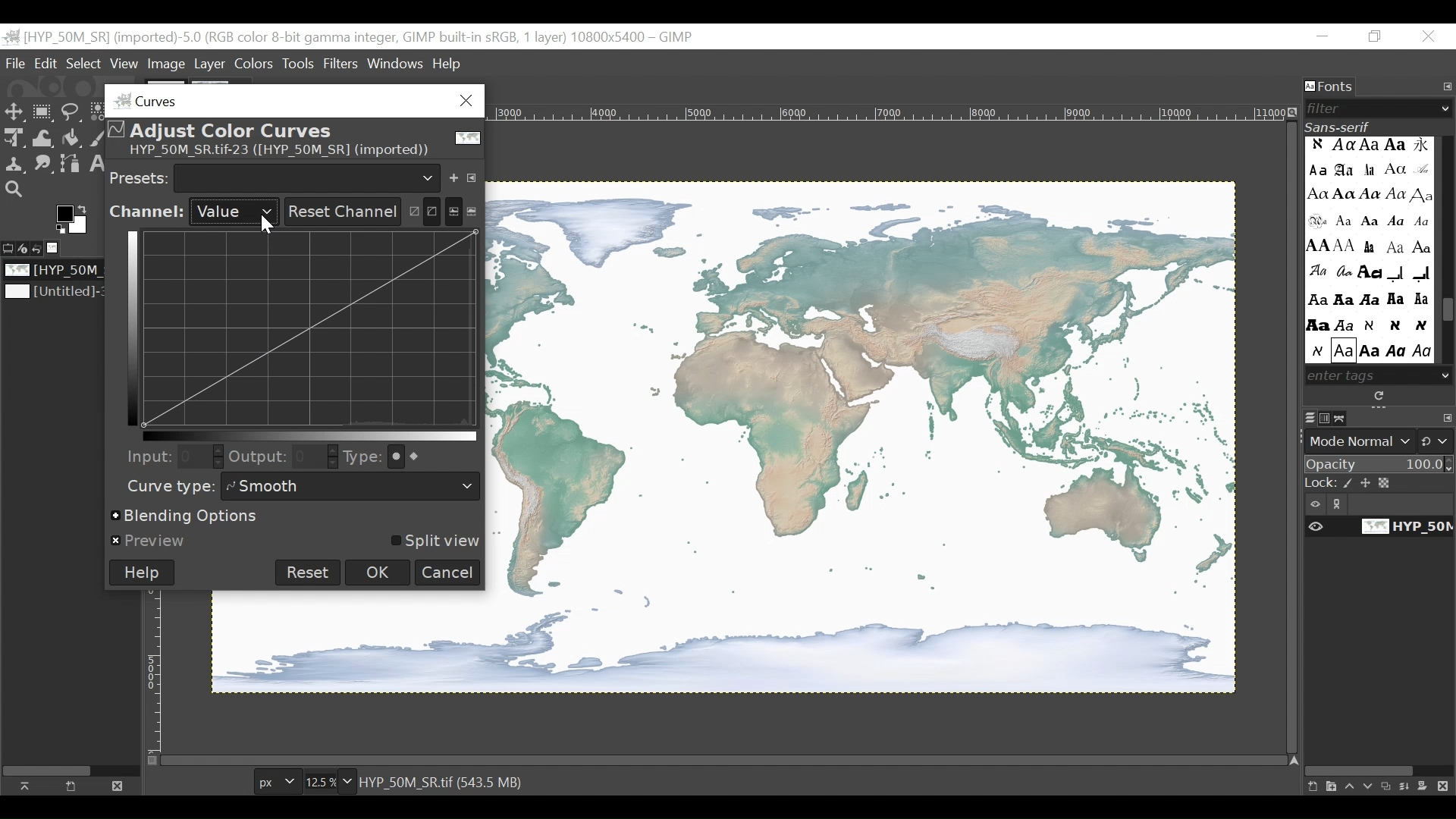 The width and height of the screenshot is (1456, 819). Describe the element at coordinates (193, 212) in the screenshot. I see `Channel Selection` at that location.